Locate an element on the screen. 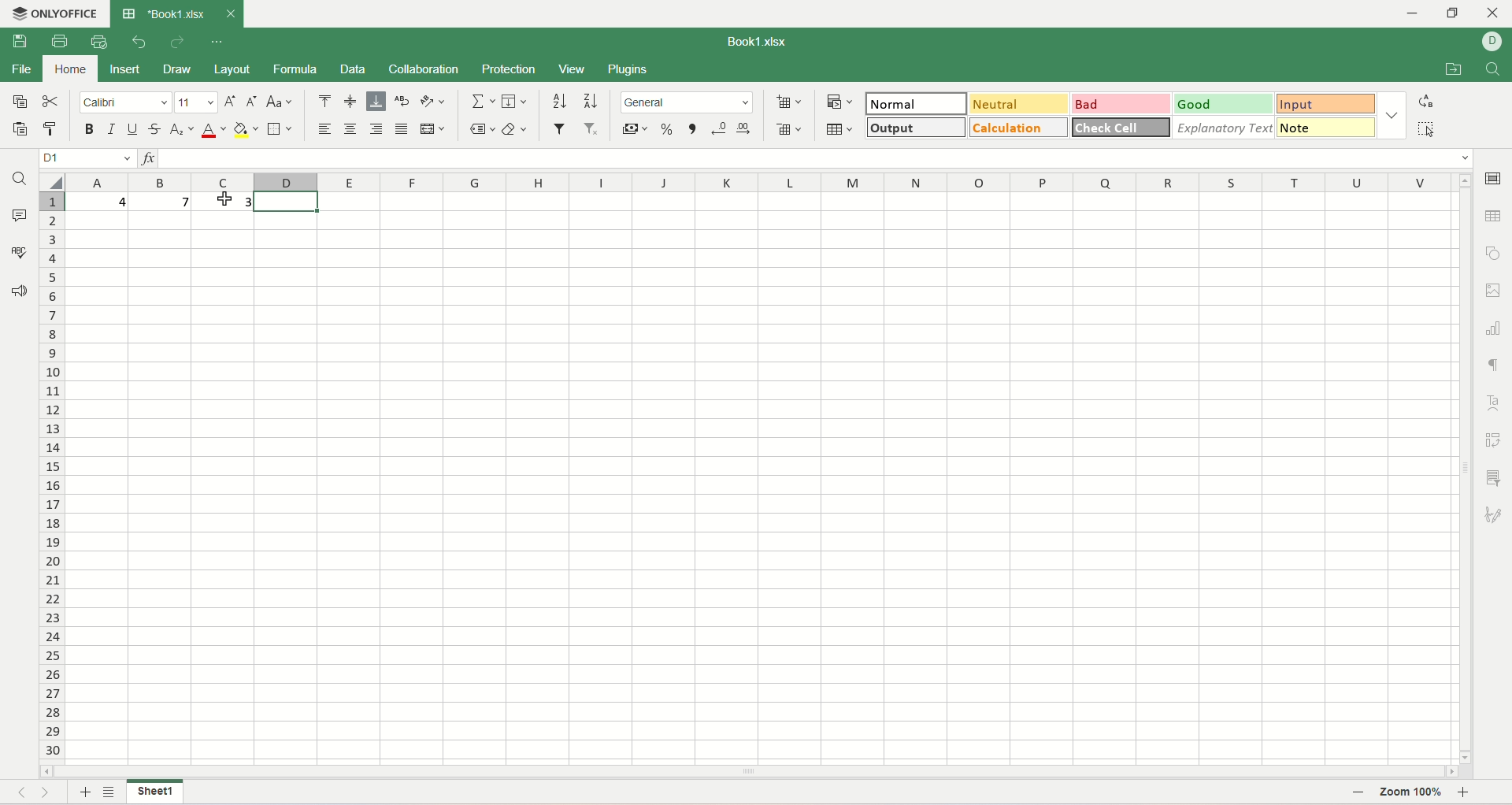 The height and width of the screenshot is (805, 1512). subscript is located at coordinates (183, 129).